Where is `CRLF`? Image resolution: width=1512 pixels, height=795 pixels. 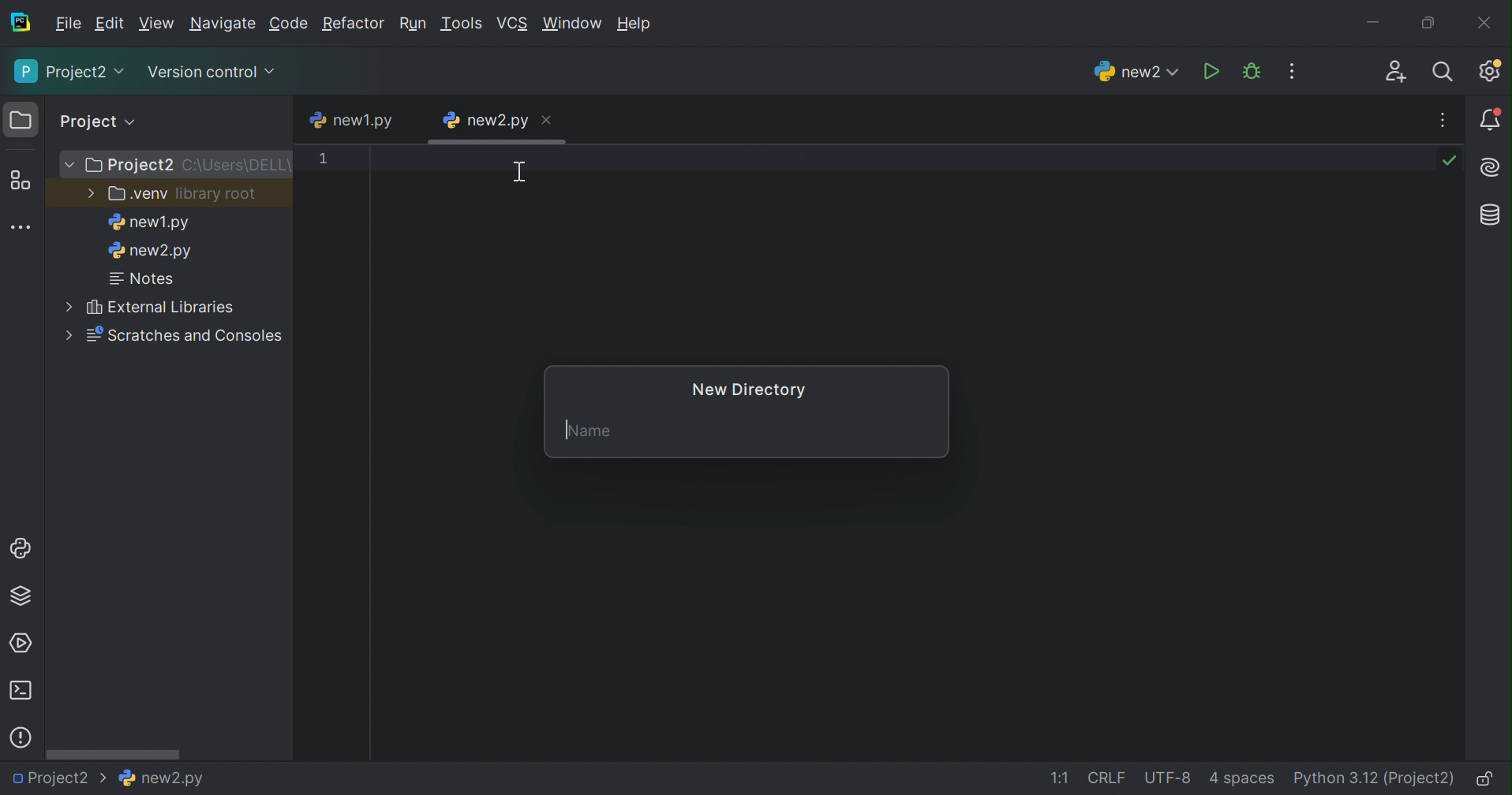 CRLF is located at coordinates (1108, 778).